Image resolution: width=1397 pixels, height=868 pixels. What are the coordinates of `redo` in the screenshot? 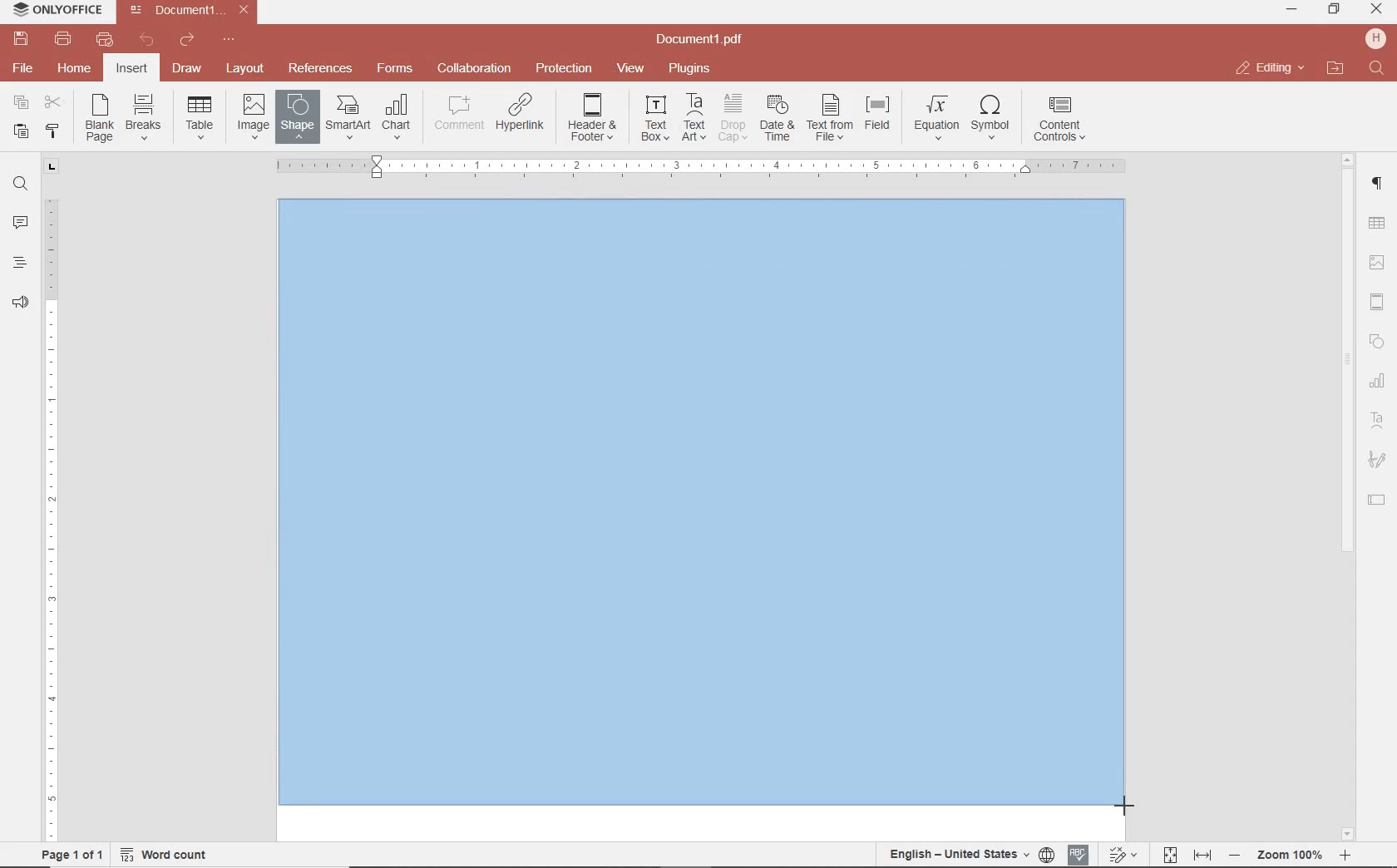 It's located at (185, 42).